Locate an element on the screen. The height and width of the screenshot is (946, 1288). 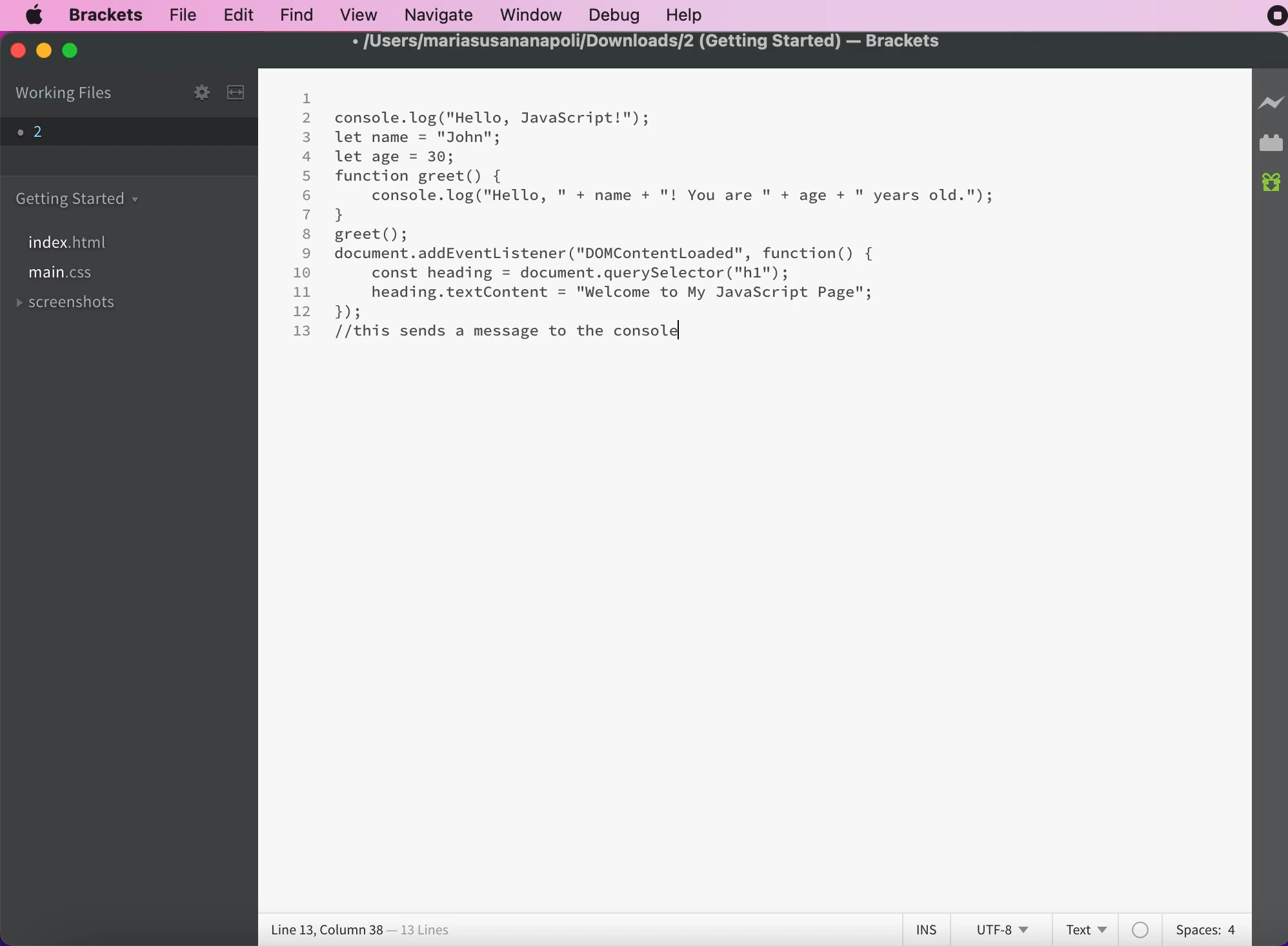
new build of brackets is located at coordinates (1271, 186).